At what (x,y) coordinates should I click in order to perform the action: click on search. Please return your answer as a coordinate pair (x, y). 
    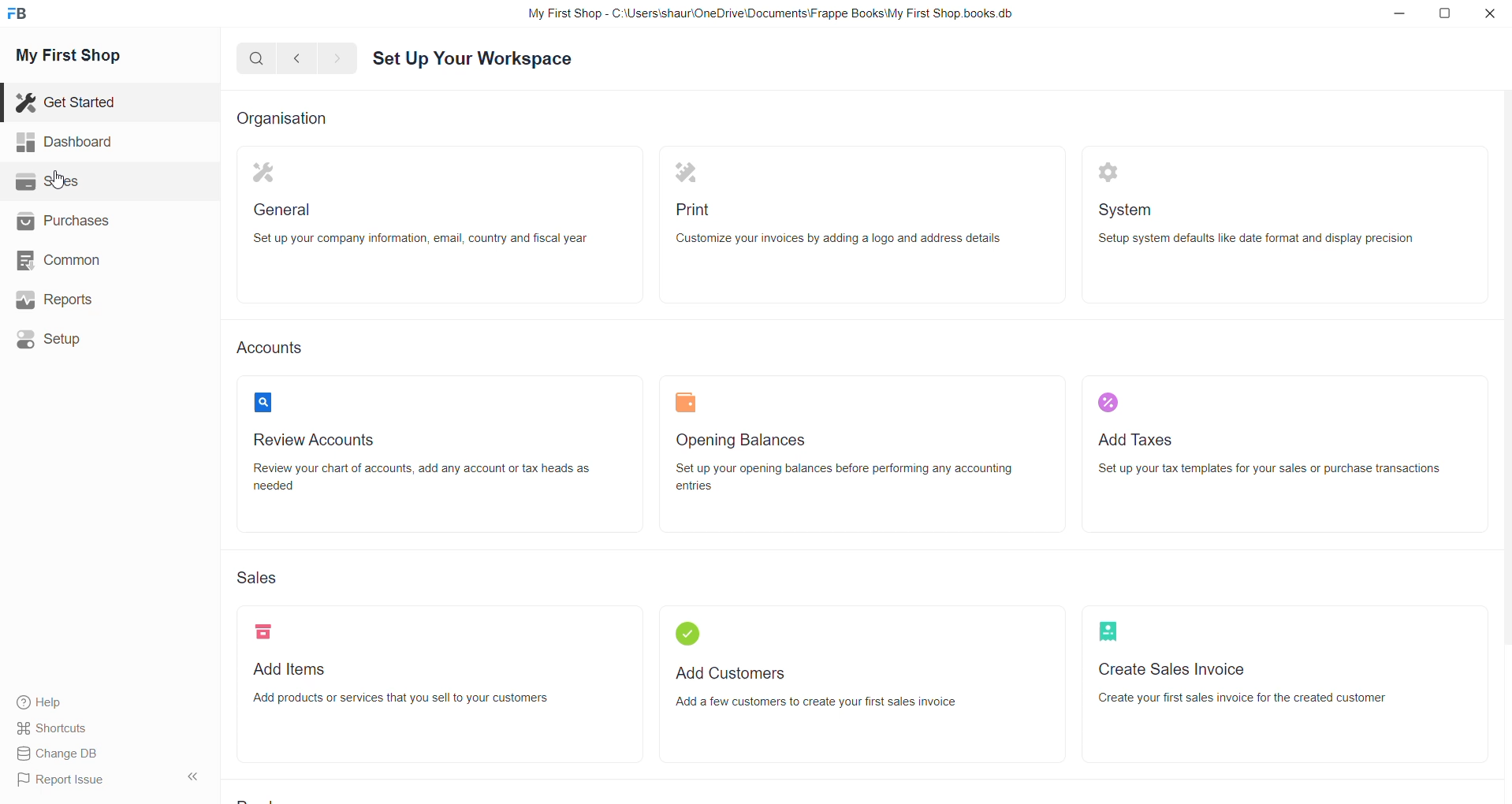
    Looking at the image, I should click on (255, 62).